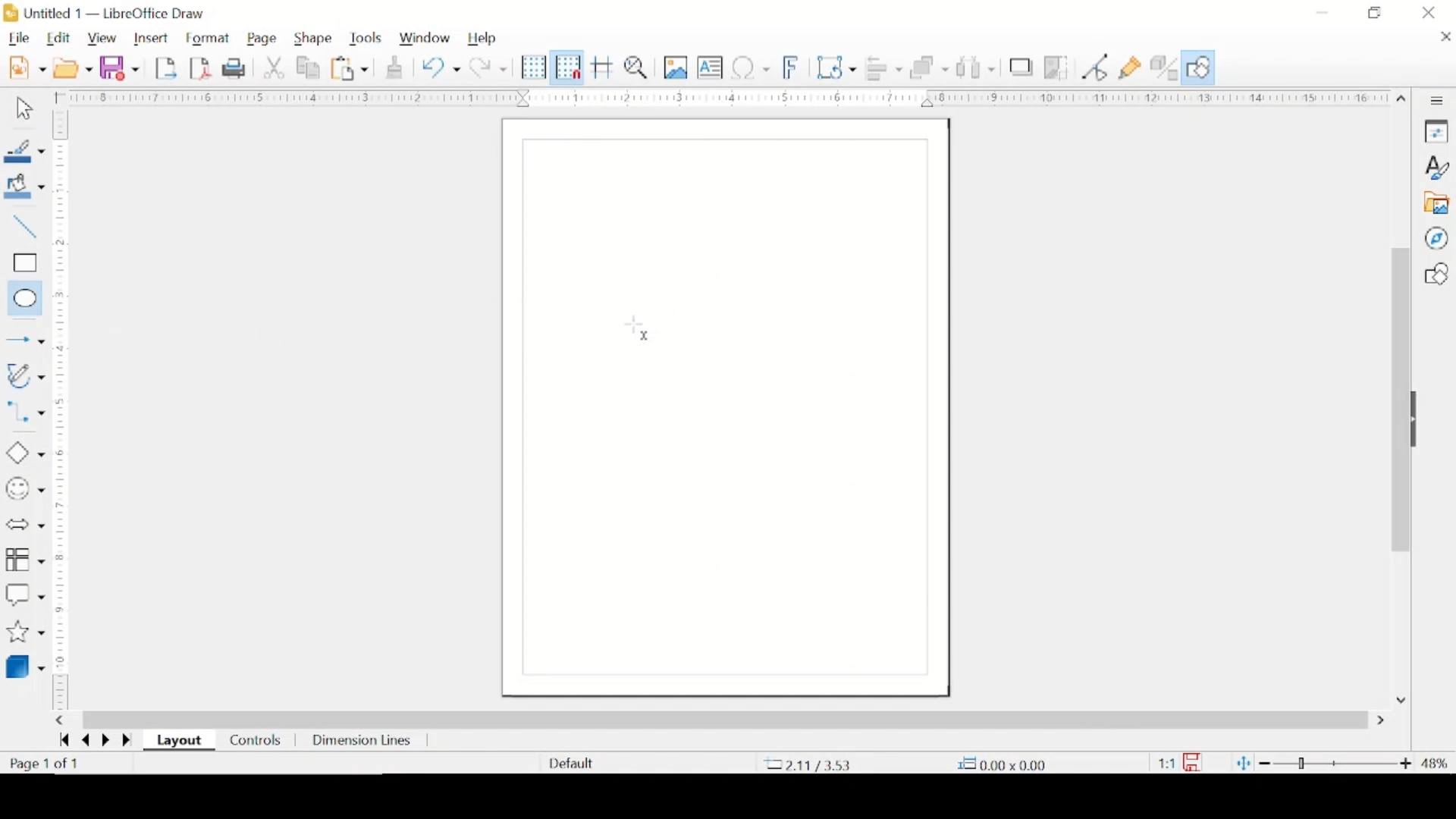  What do you see at coordinates (125, 741) in the screenshot?
I see `go forwards` at bounding box center [125, 741].